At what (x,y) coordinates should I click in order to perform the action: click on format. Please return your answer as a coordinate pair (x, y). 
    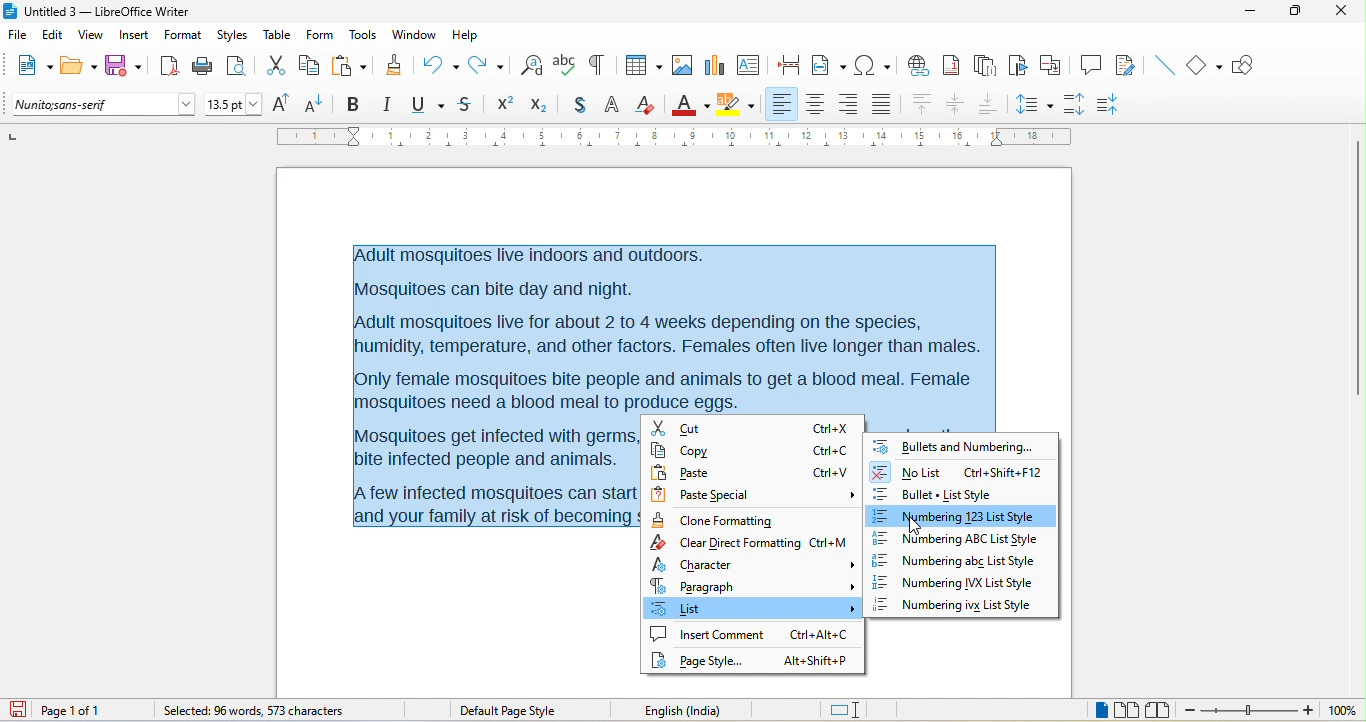
    Looking at the image, I should click on (181, 36).